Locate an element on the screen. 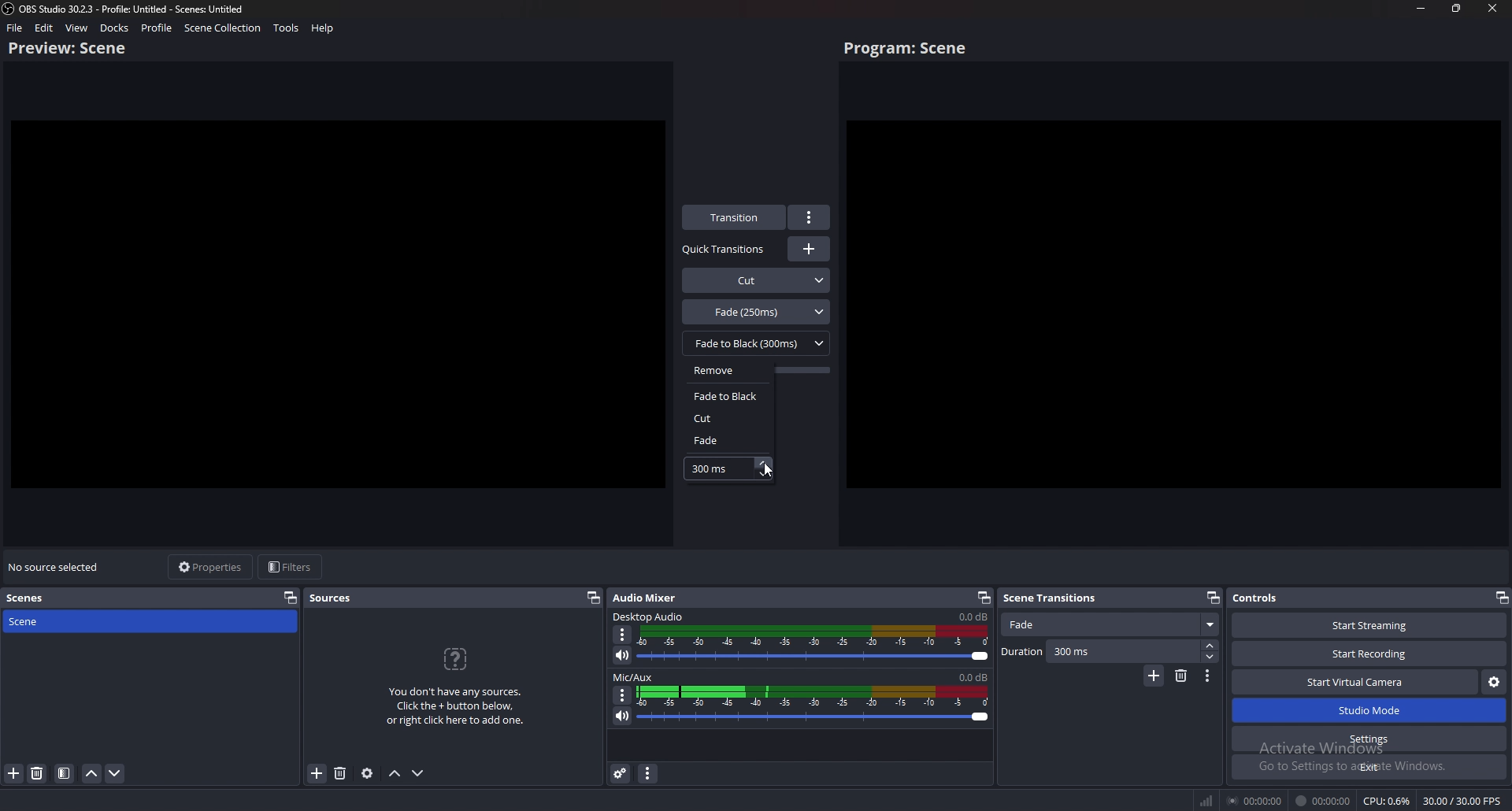 This screenshot has height=811, width=1512. transition is located at coordinates (736, 217).